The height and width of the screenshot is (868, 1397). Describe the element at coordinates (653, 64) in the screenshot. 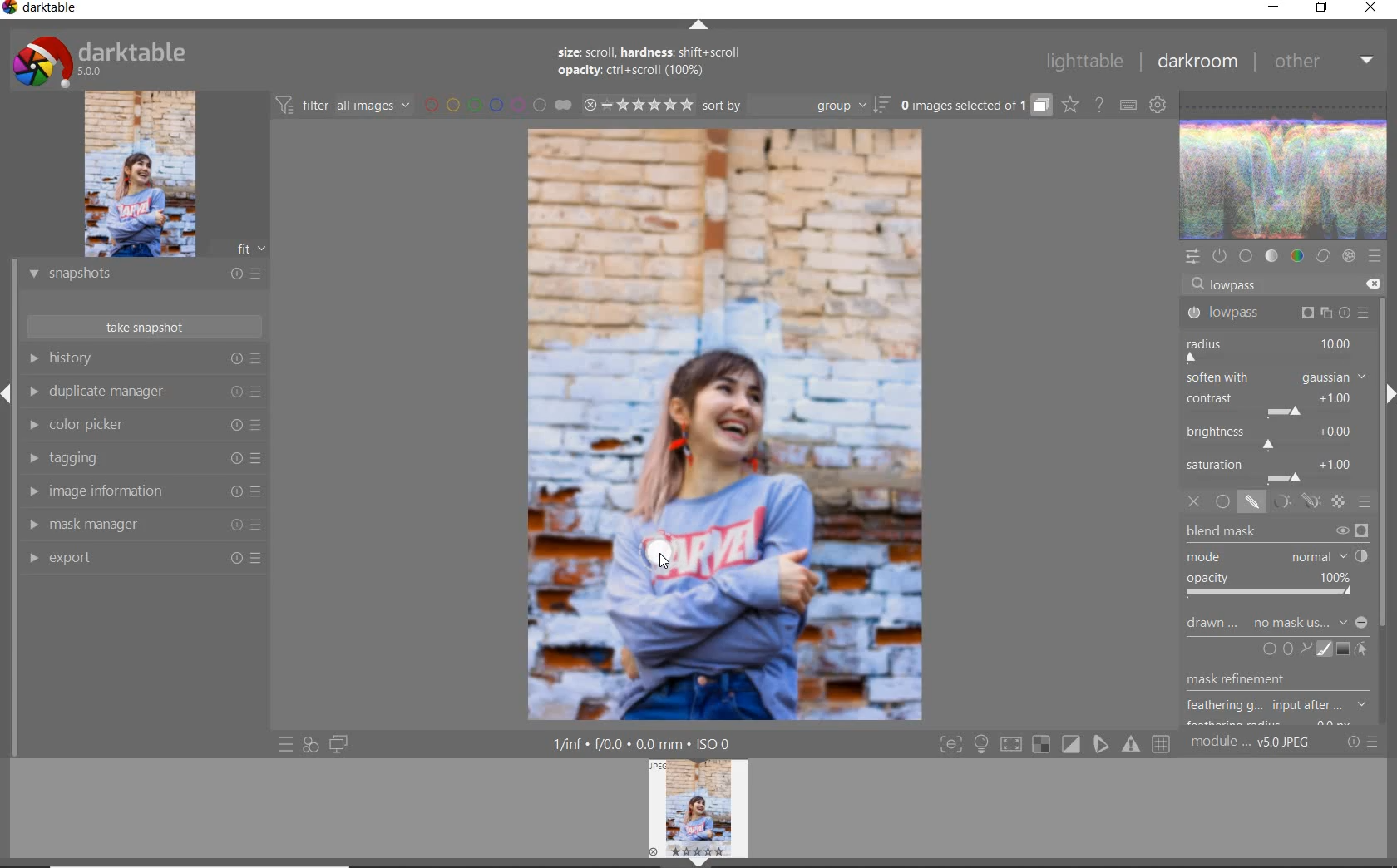

I see `size: scroll, hardness: shift+scroll
opacity: ctrl+scroll (100%)` at that location.